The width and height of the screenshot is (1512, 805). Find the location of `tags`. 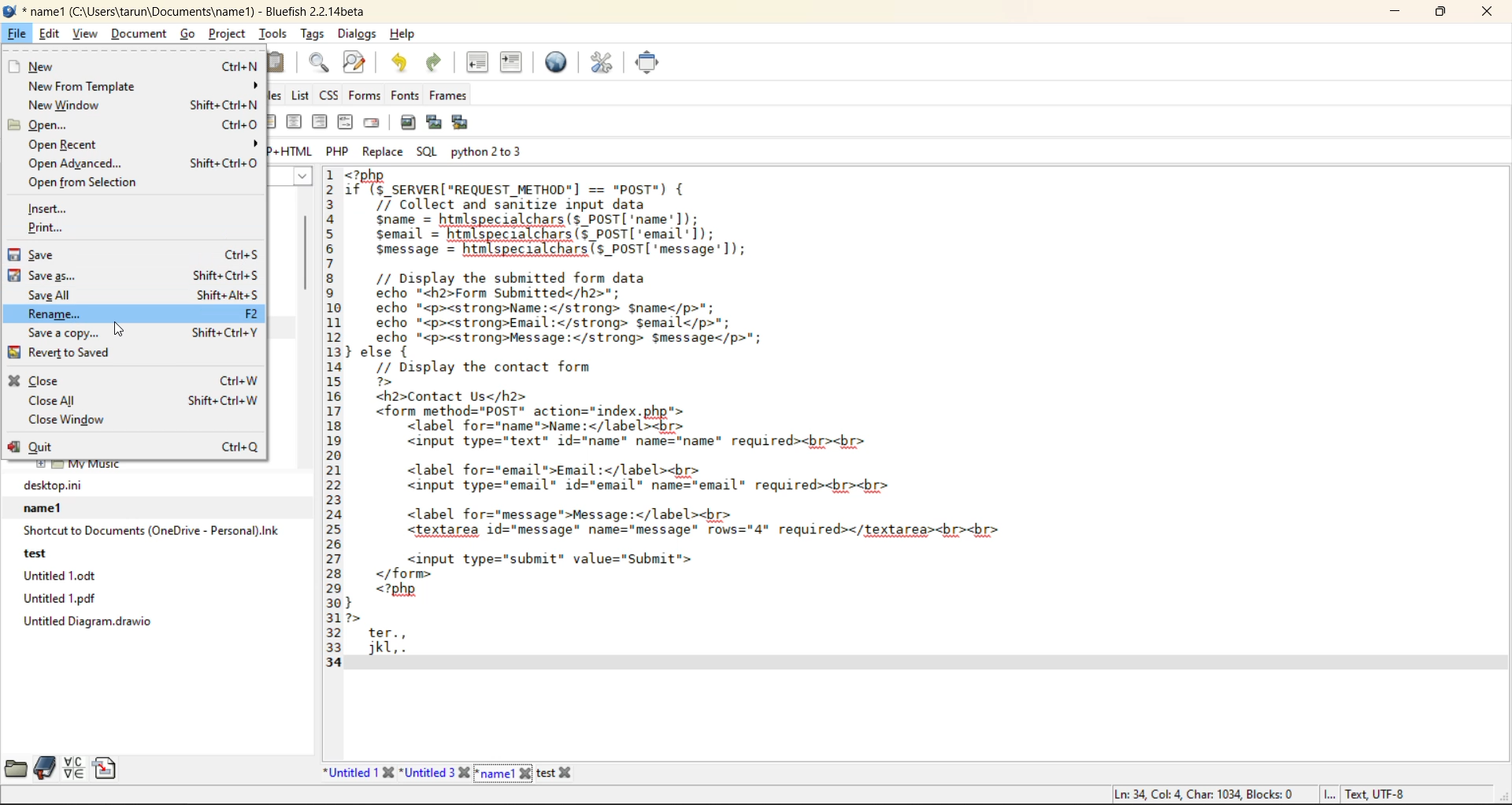

tags is located at coordinates (313, 33).